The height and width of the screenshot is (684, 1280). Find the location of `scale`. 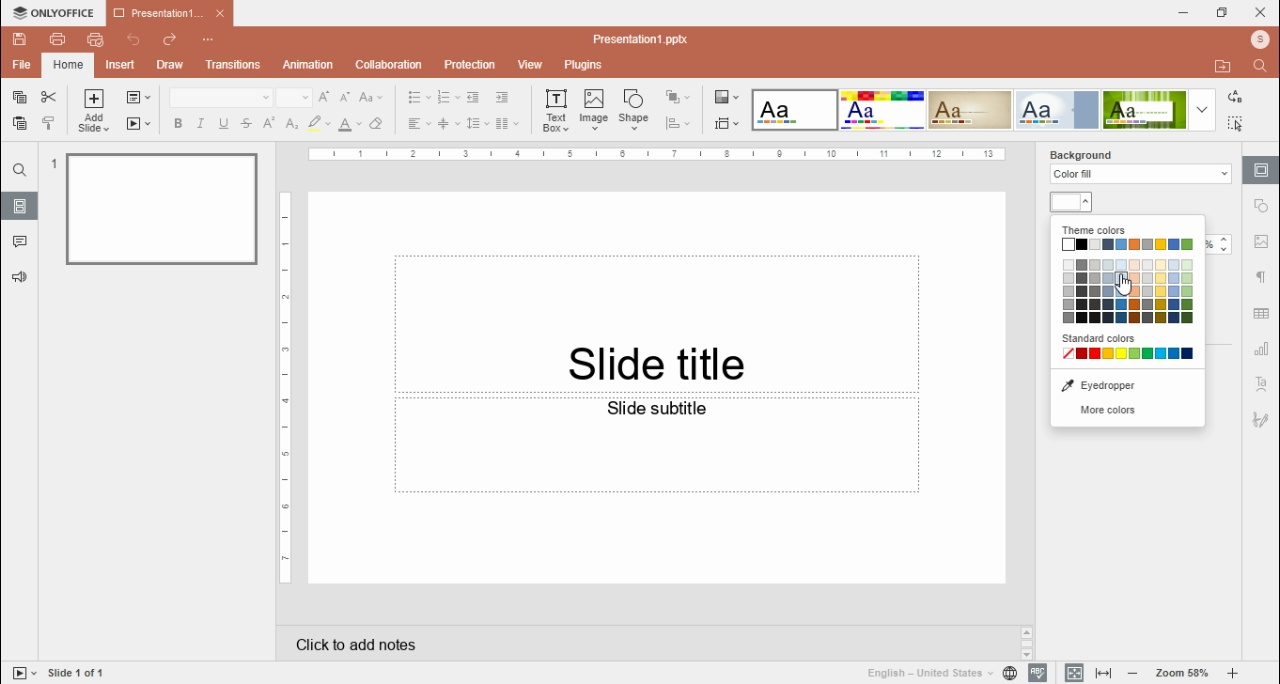

scale is located at coordinates (284, 389).